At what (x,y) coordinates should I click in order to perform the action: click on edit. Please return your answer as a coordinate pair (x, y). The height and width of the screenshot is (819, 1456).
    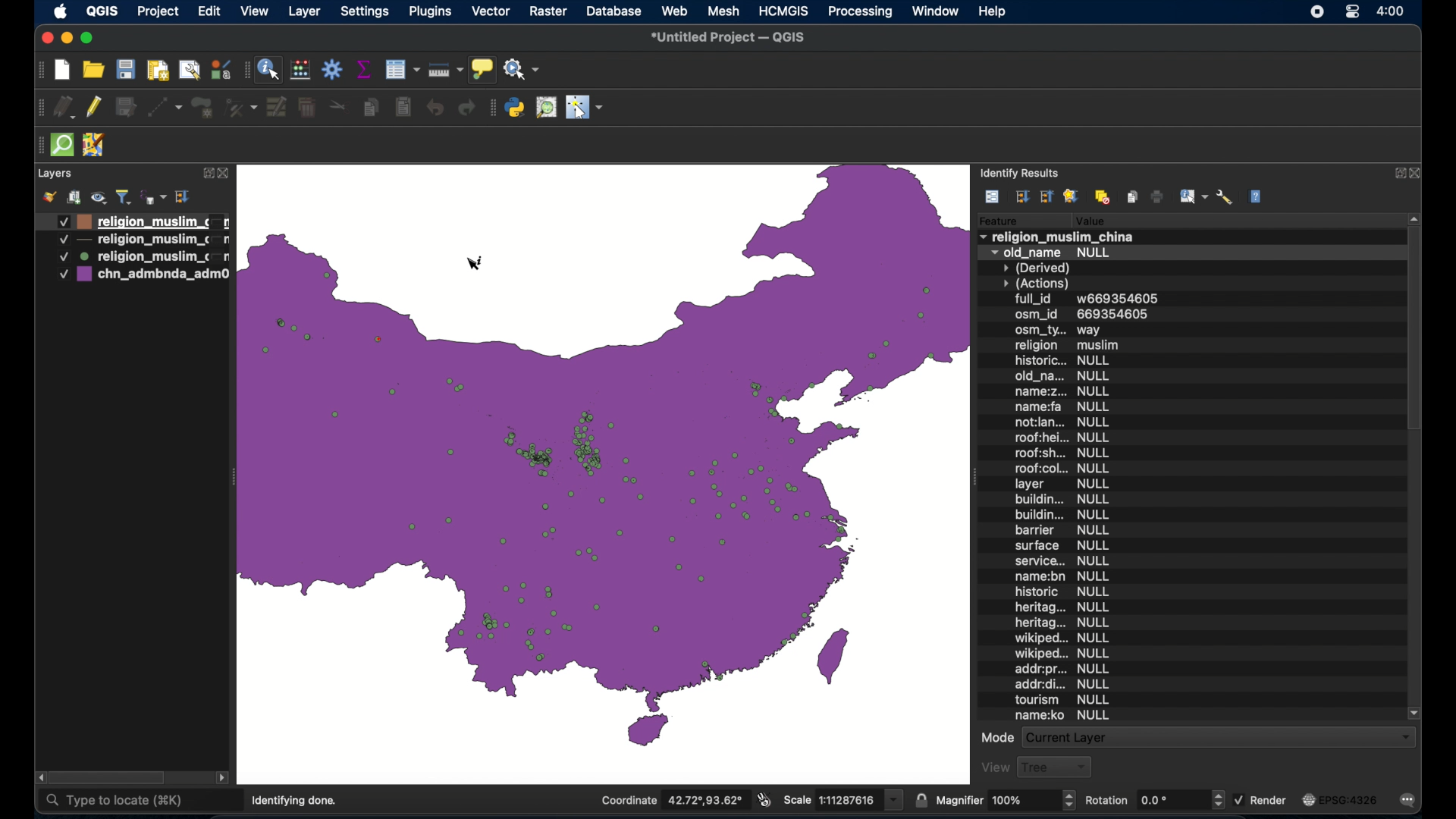
    Looking at the image, I should click on (209, 11).